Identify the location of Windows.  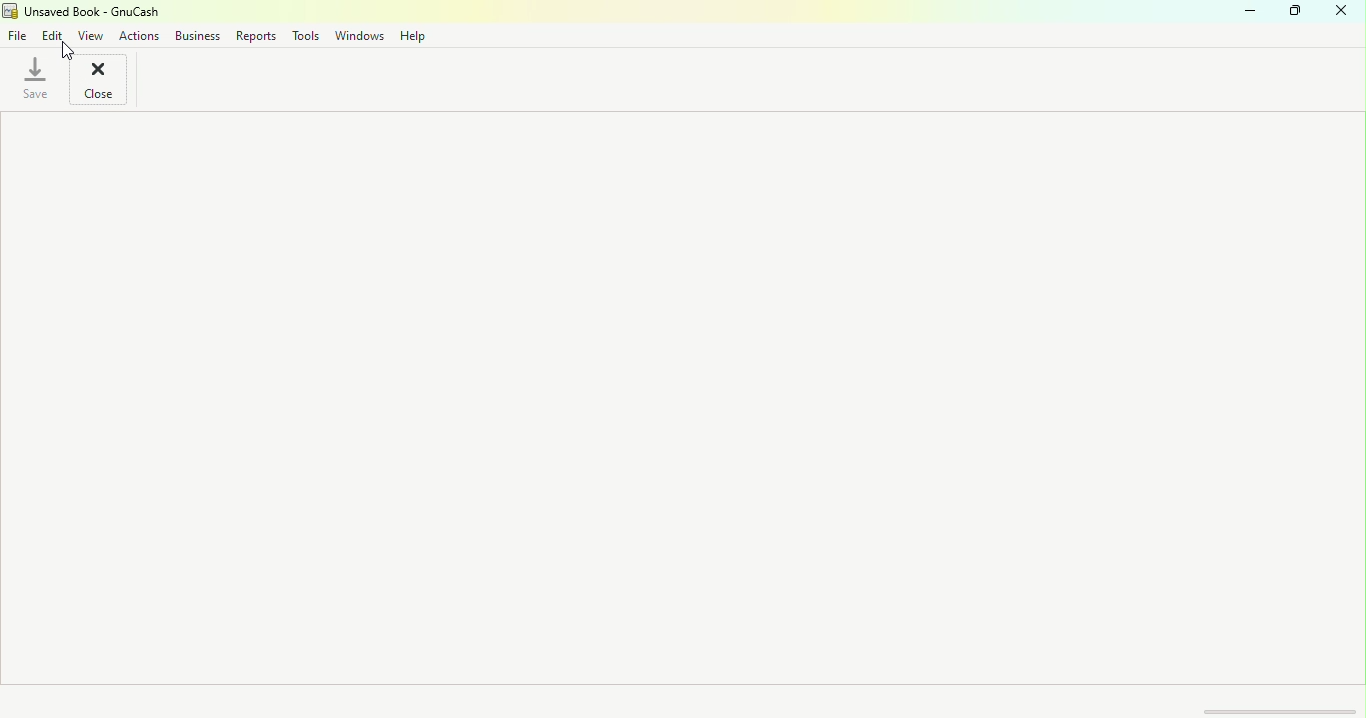
(358, 35).